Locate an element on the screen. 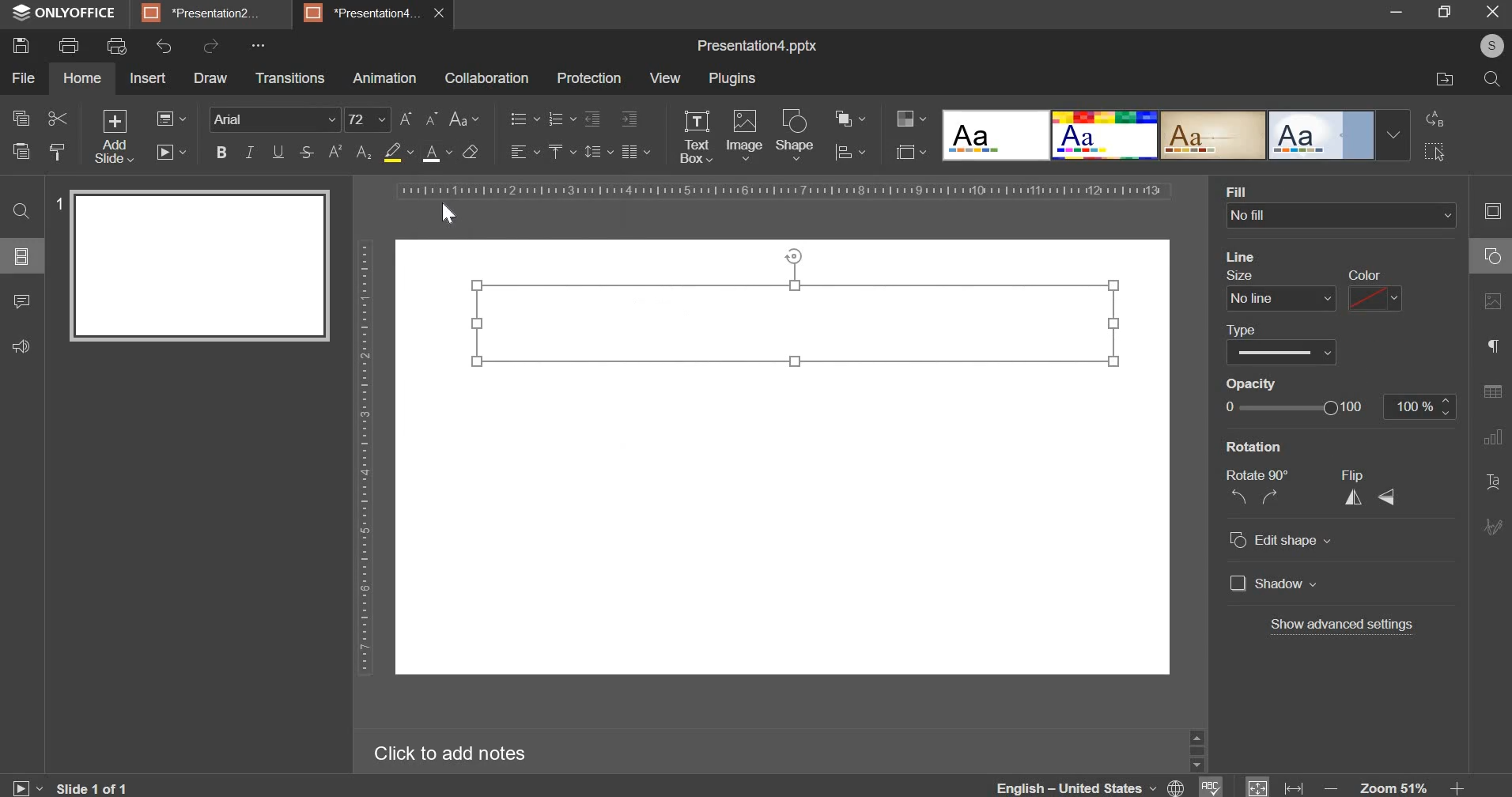 The width and height of the screenshot is (1512, 797). close is located at coordinates (443, 15).